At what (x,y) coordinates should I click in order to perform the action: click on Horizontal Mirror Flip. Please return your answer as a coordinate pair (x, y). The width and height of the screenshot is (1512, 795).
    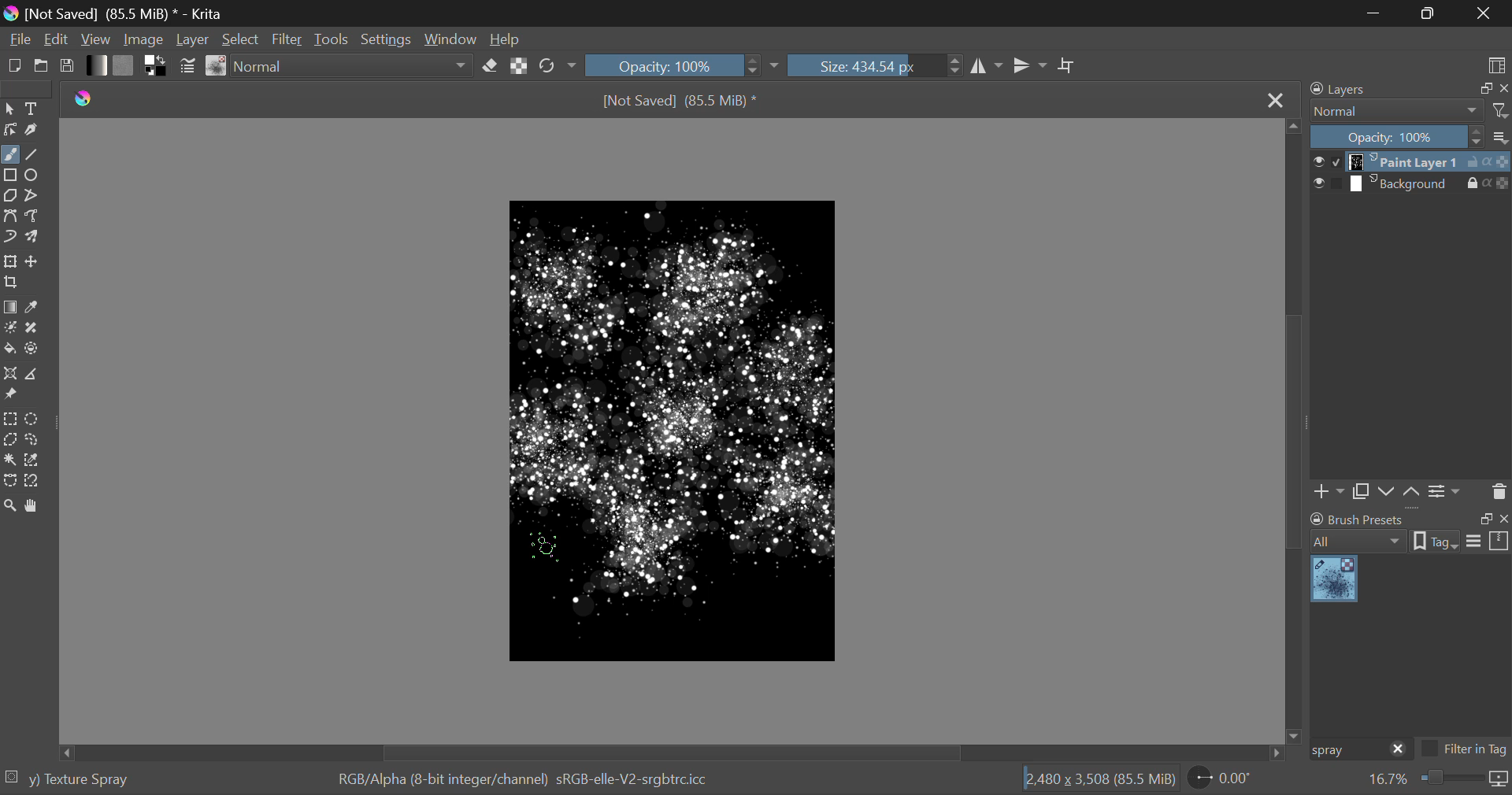
    Looking at the image, I should click on (1030, 65).